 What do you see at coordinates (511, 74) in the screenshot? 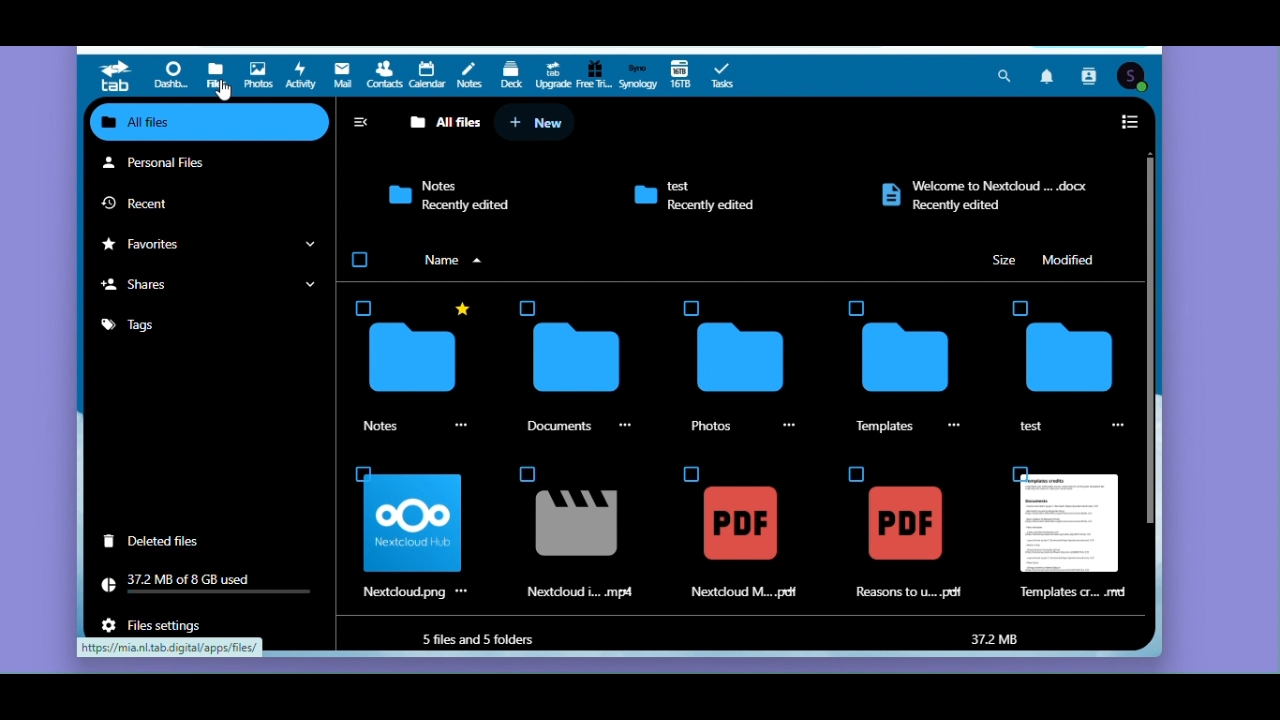
I see `Deck` at bounding box center [511, 74].